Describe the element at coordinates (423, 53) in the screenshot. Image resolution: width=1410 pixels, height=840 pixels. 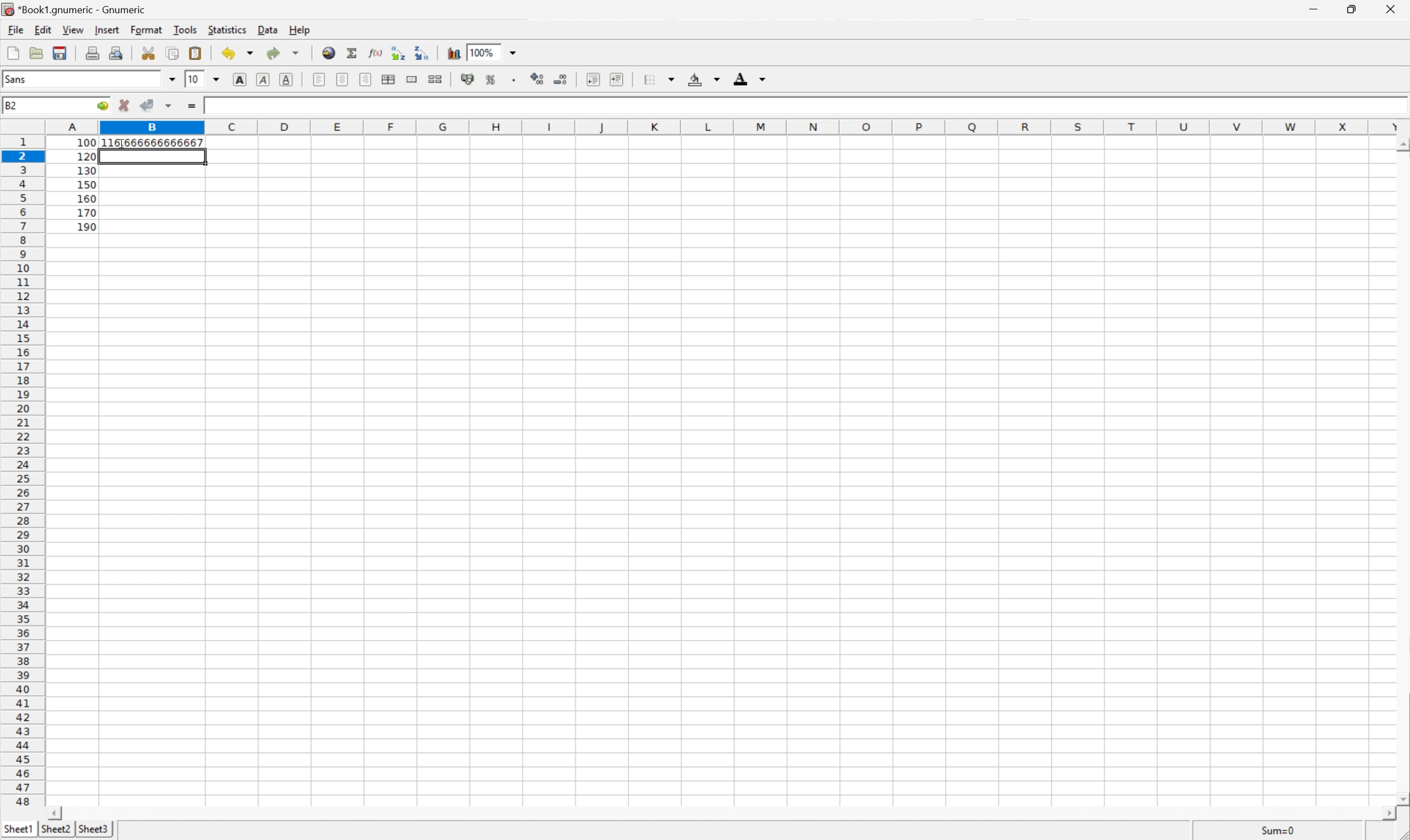
I see `Sort the selected region in descending order based on the first column selected` at that location.